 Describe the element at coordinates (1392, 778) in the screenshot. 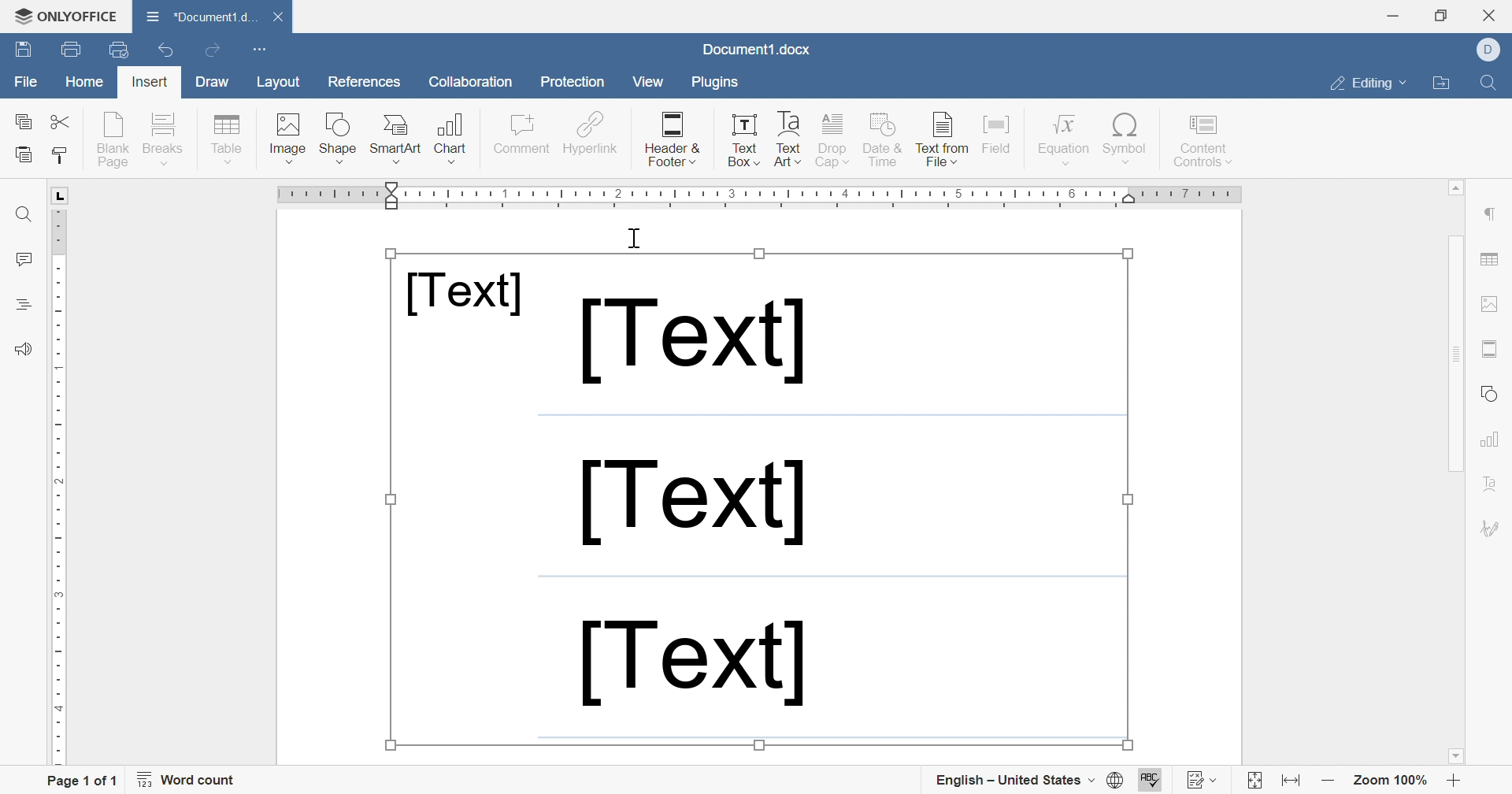

I see `Zoom 100%` at that location.